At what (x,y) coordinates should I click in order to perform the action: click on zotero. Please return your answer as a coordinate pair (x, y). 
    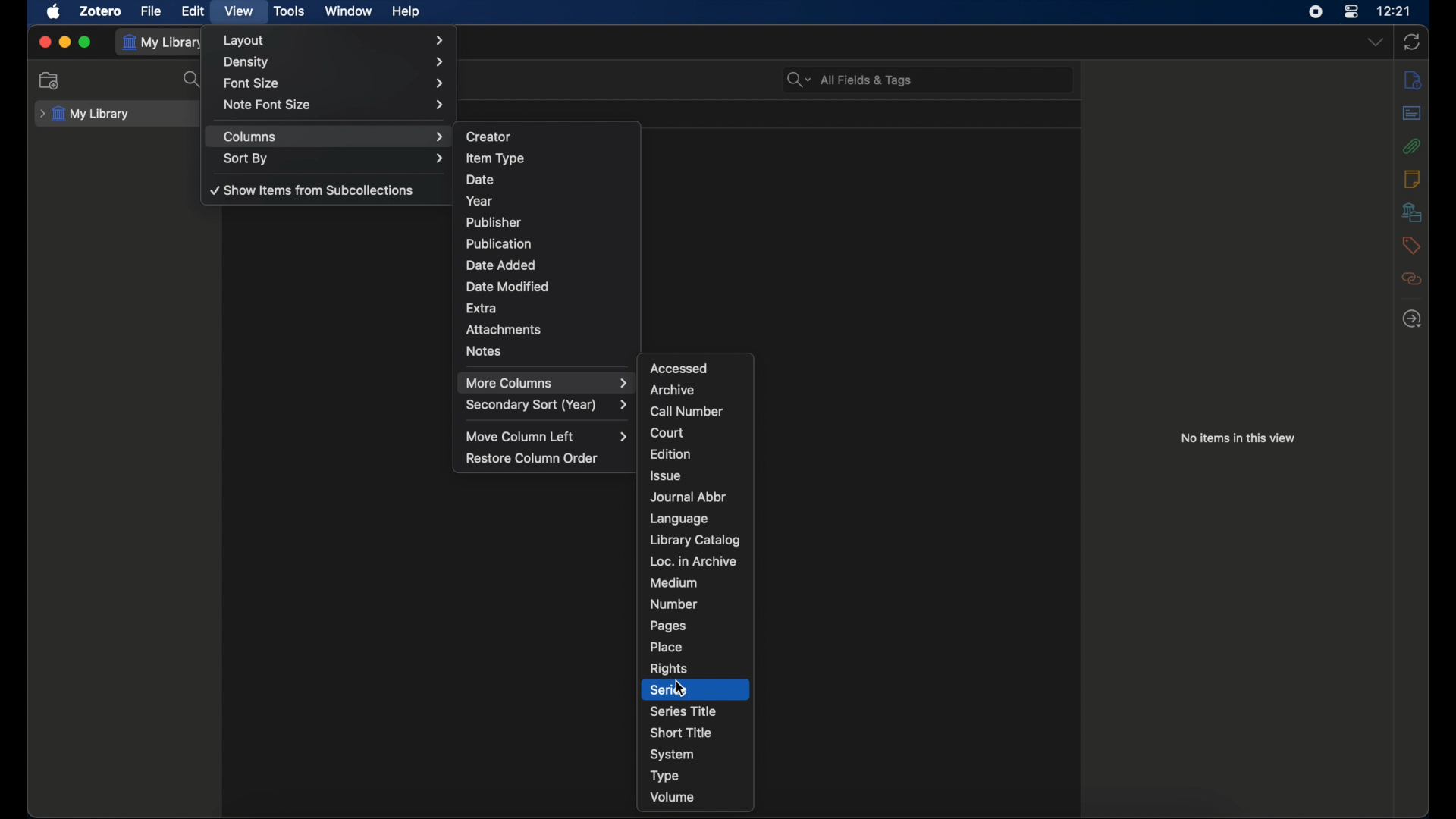
    Looking at the image, I should click on (100, 11).